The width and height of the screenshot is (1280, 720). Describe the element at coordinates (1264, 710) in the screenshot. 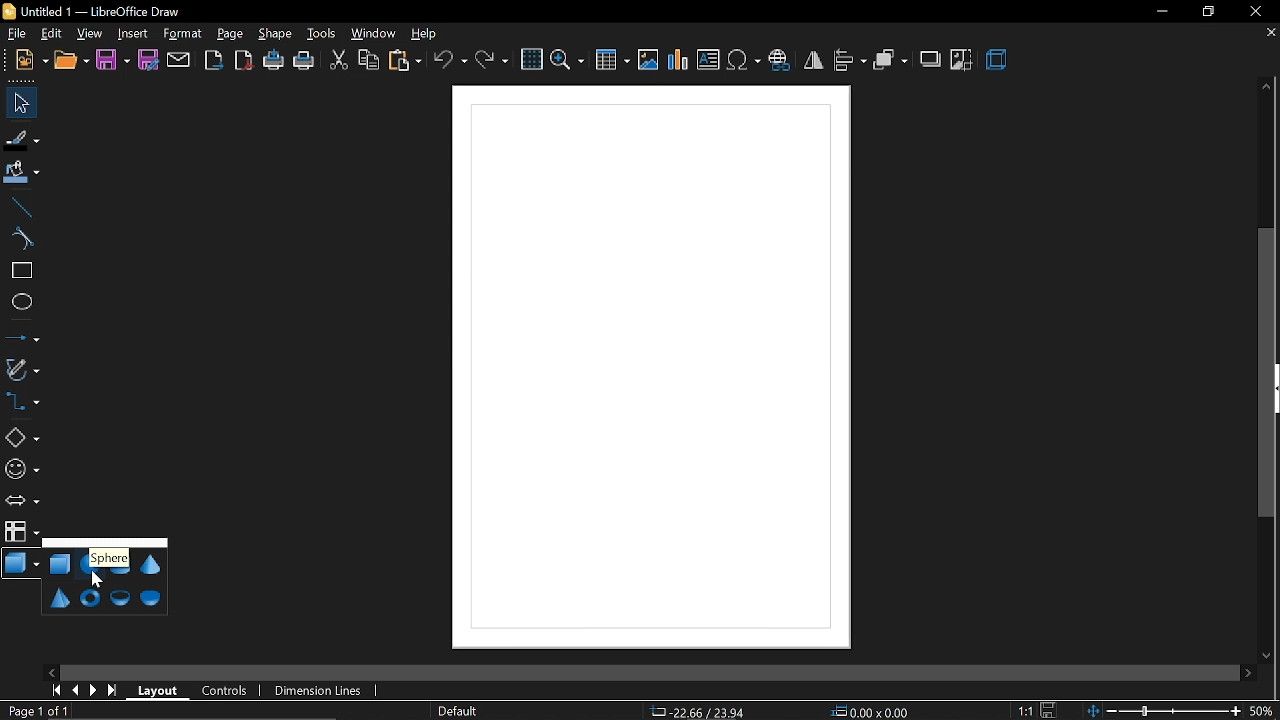

I see `50%` at that location.